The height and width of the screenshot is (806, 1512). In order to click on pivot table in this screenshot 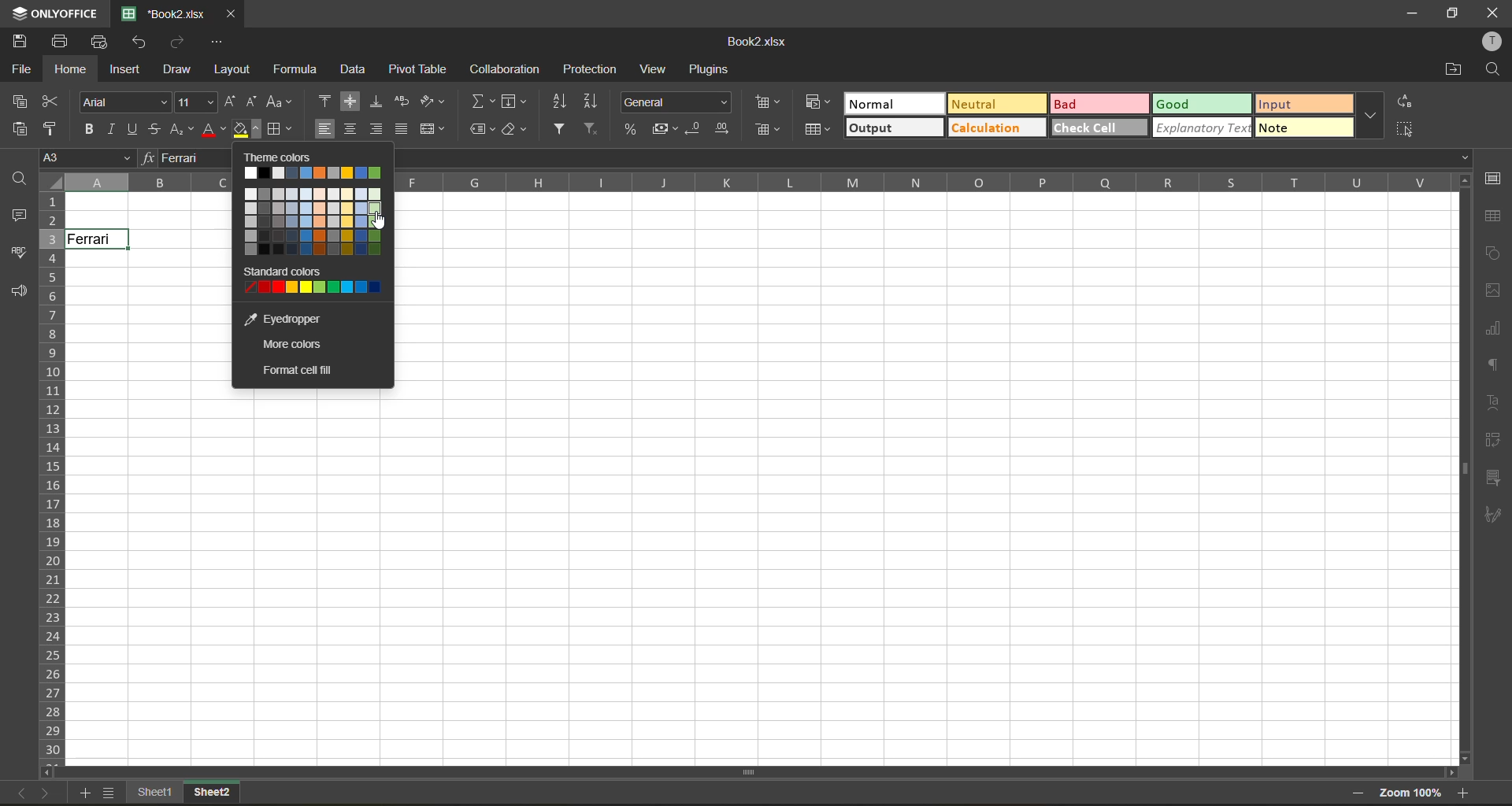, I will do `click(1495, 442)`.